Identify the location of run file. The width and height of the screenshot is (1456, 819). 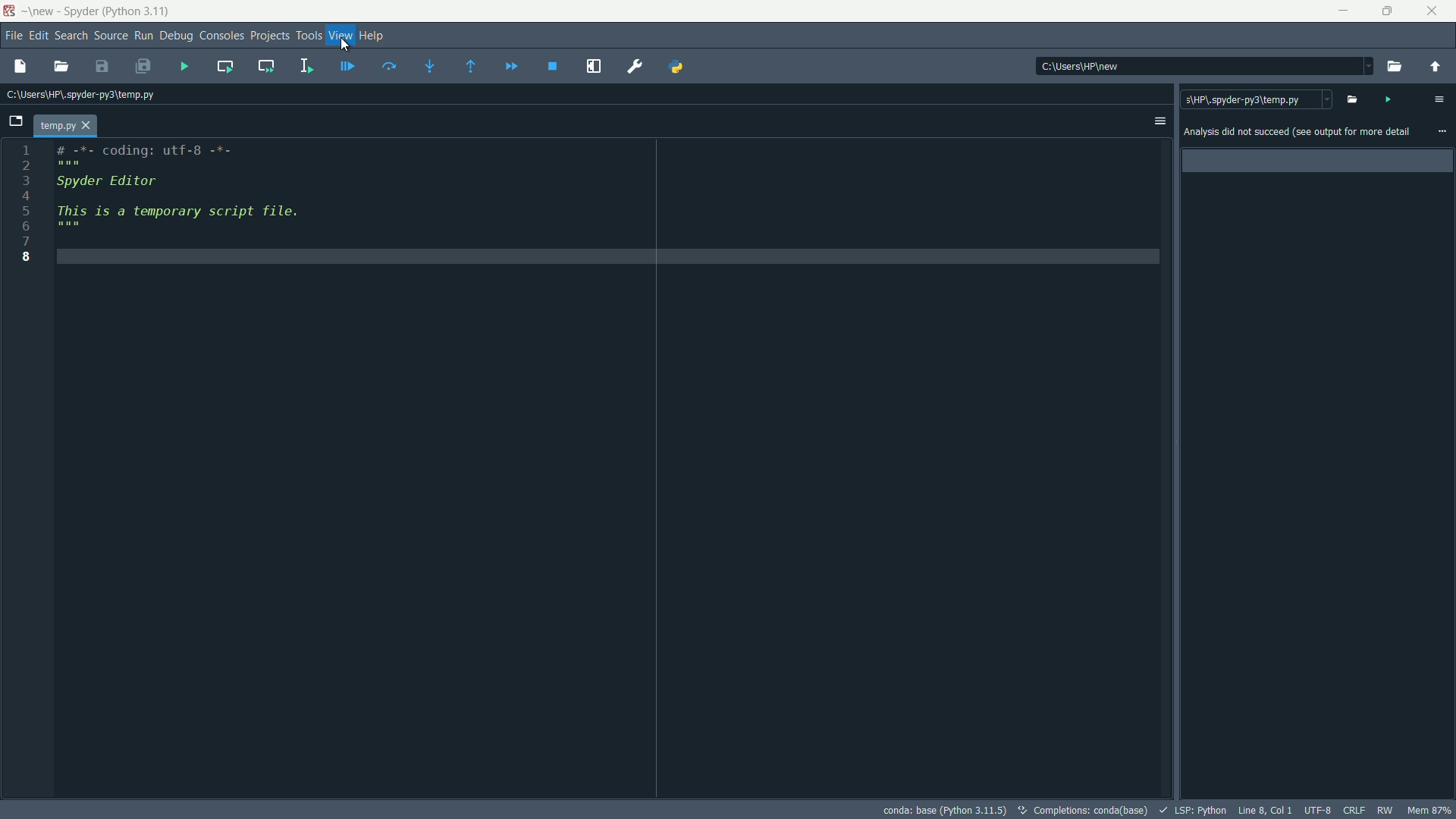
(184, 66).